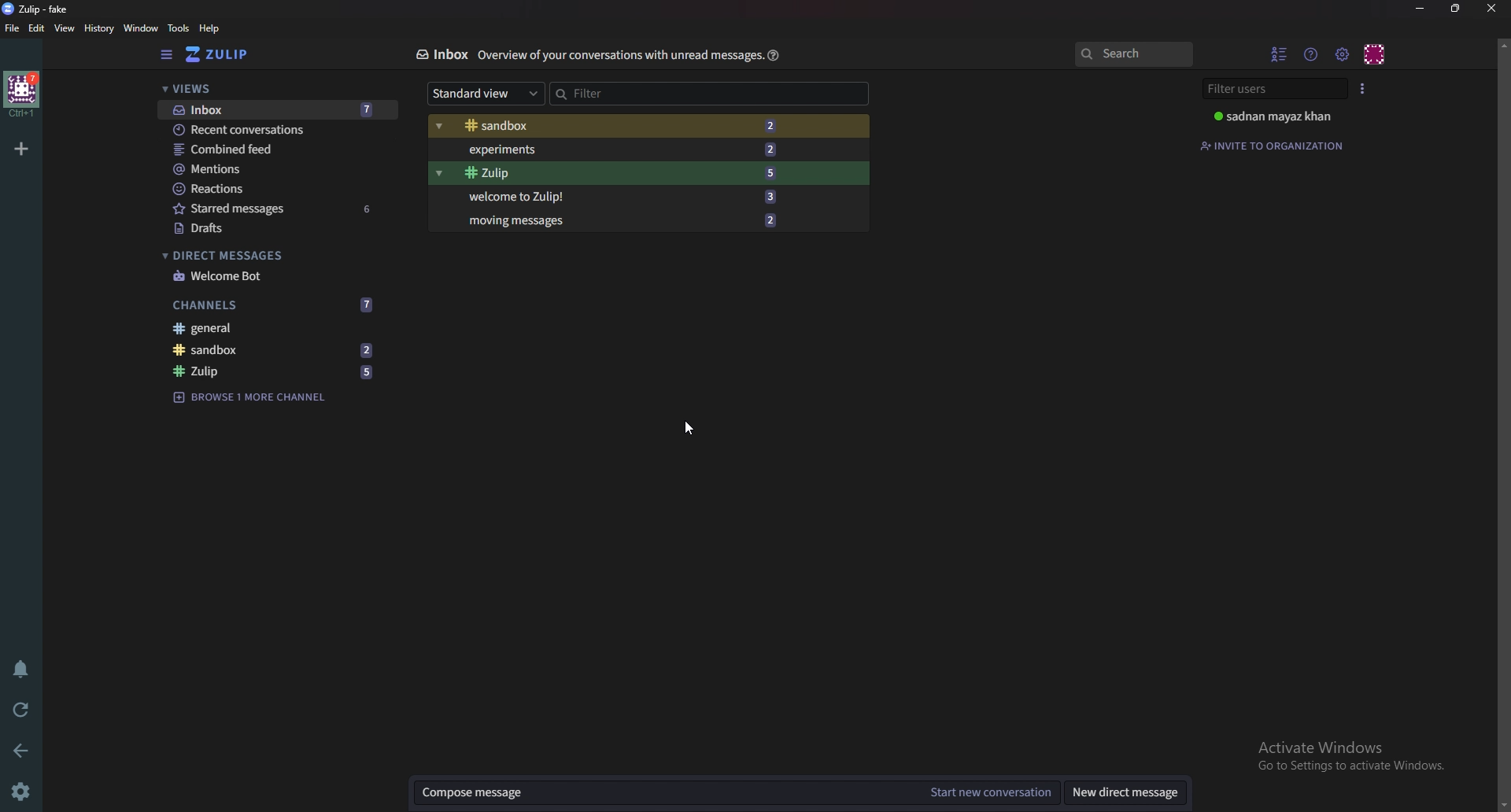 This screenshot has width=1511, height=812. Describe the element at coordinates (662, 792) in the screenshot. I see `Compose message` at that location.